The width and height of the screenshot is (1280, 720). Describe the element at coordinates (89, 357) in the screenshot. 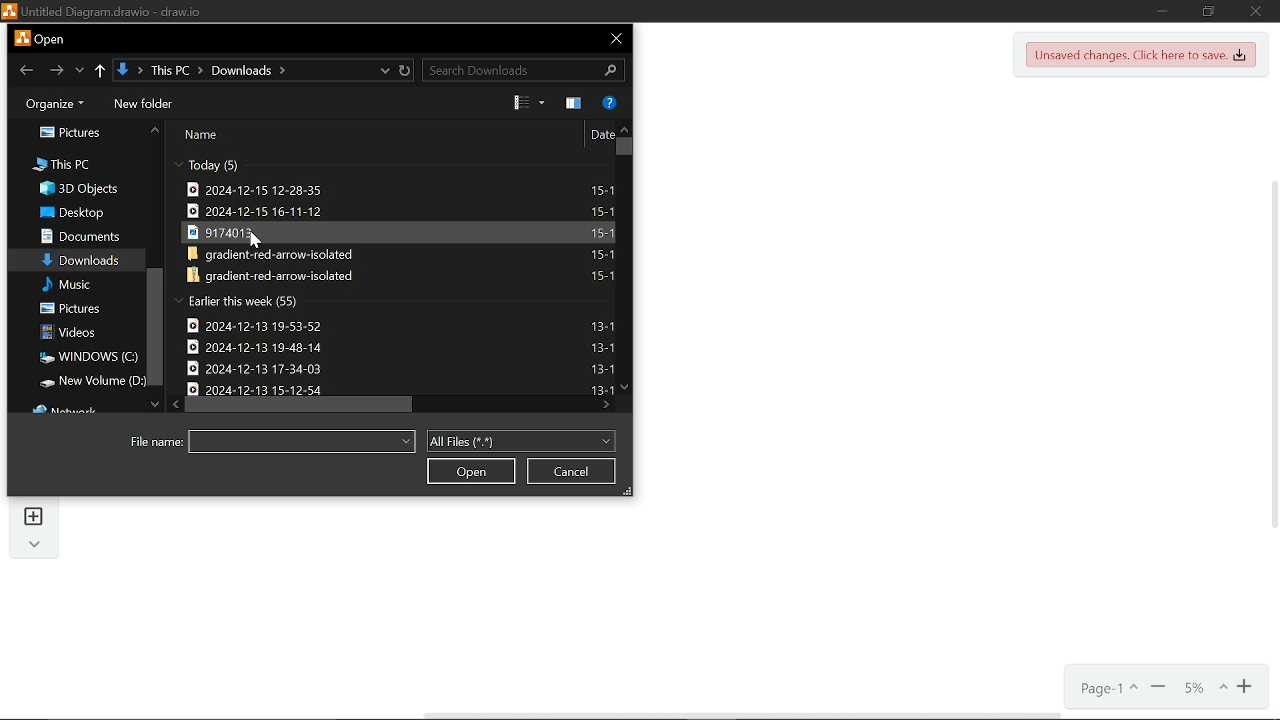

I see `windows(C)` at that location.